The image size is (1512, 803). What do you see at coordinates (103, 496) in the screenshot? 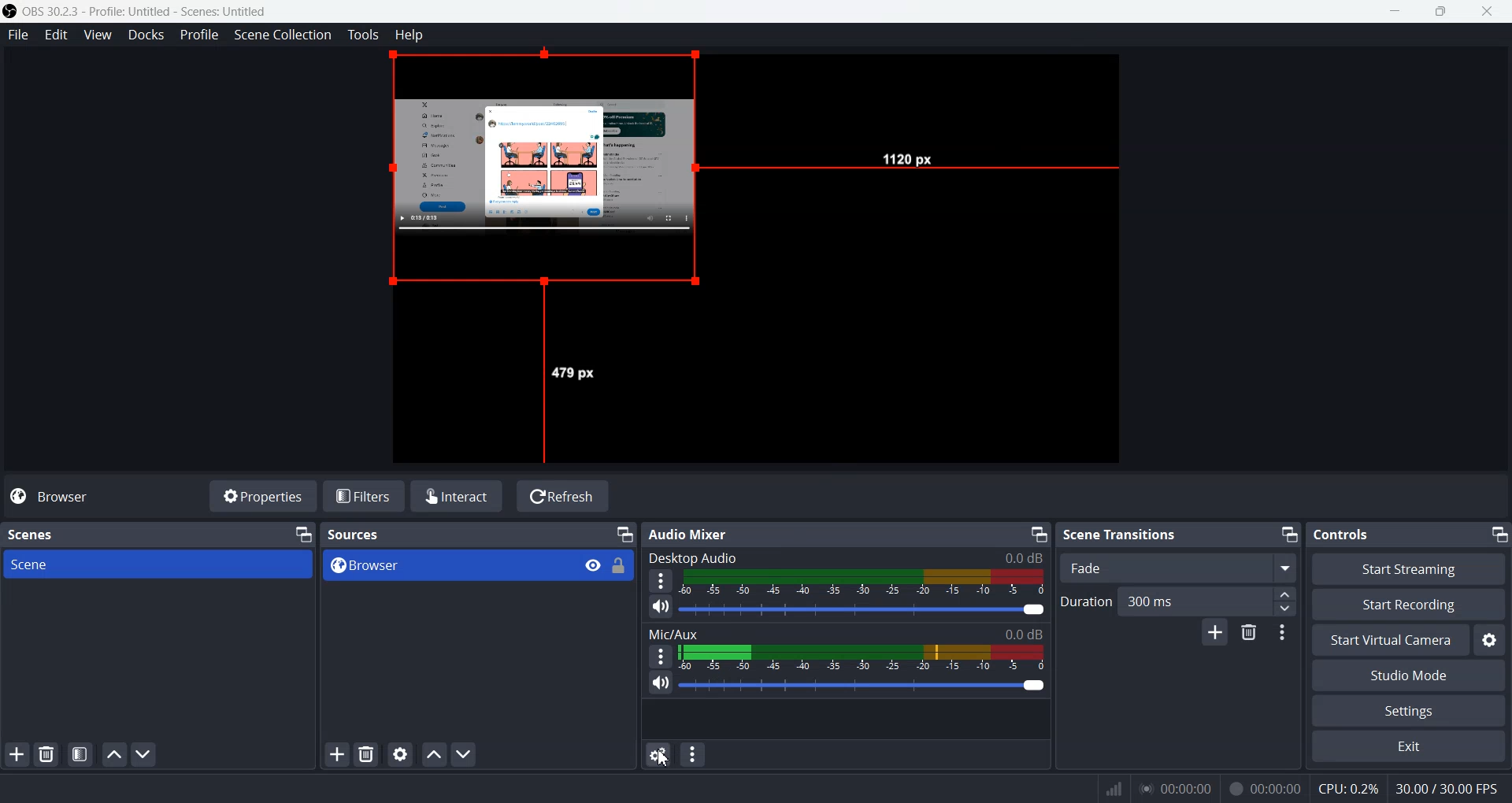
I see `Browser` at bounding box center [103, 496].